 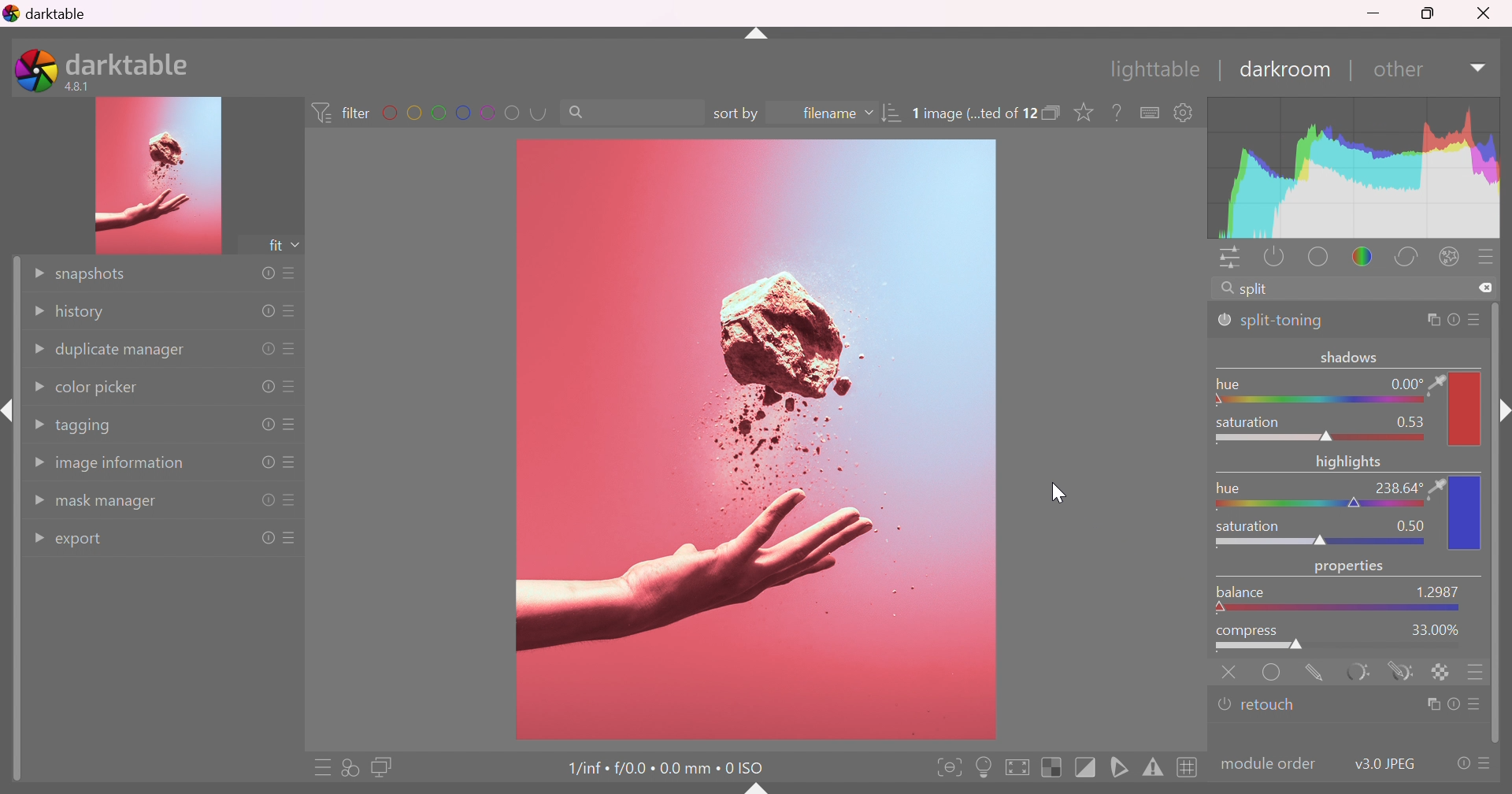 I want to click on split-toning, so click(x=1284, y=322).